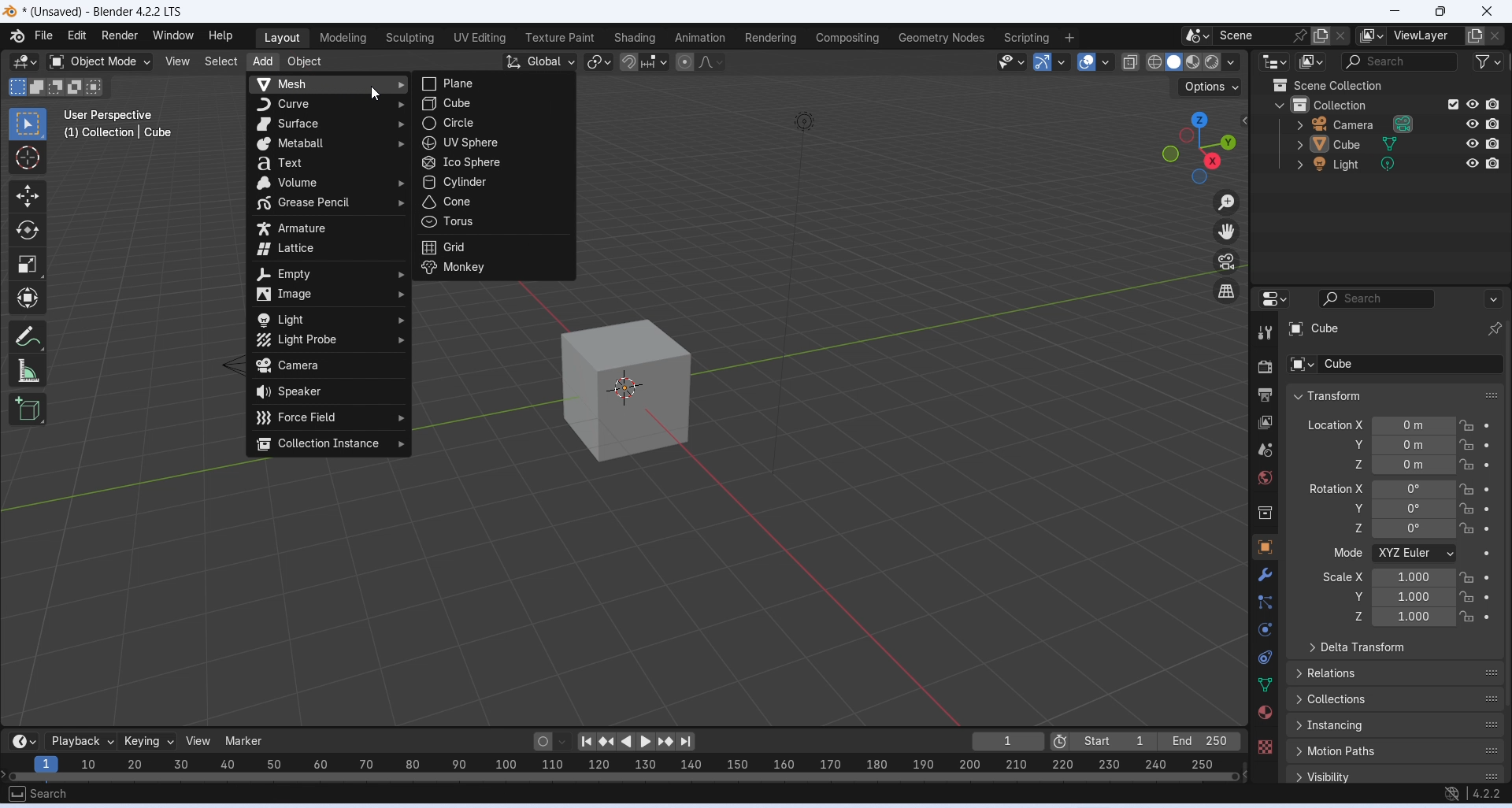  I want to click on playback, so click(80, 741).